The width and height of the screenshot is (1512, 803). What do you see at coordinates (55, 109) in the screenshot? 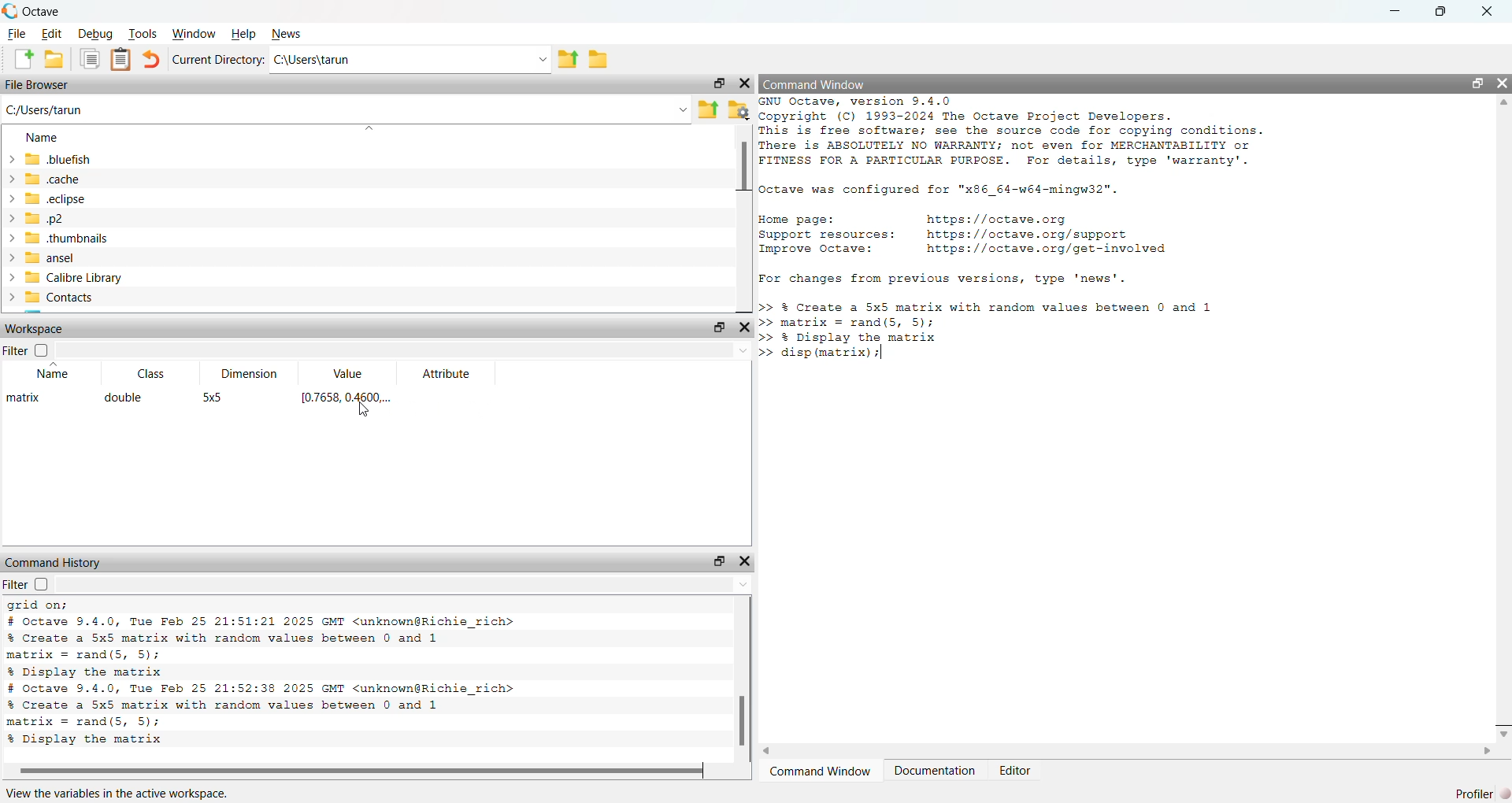
I see `C:/Users/tarun` at bounding box center [55, 109].